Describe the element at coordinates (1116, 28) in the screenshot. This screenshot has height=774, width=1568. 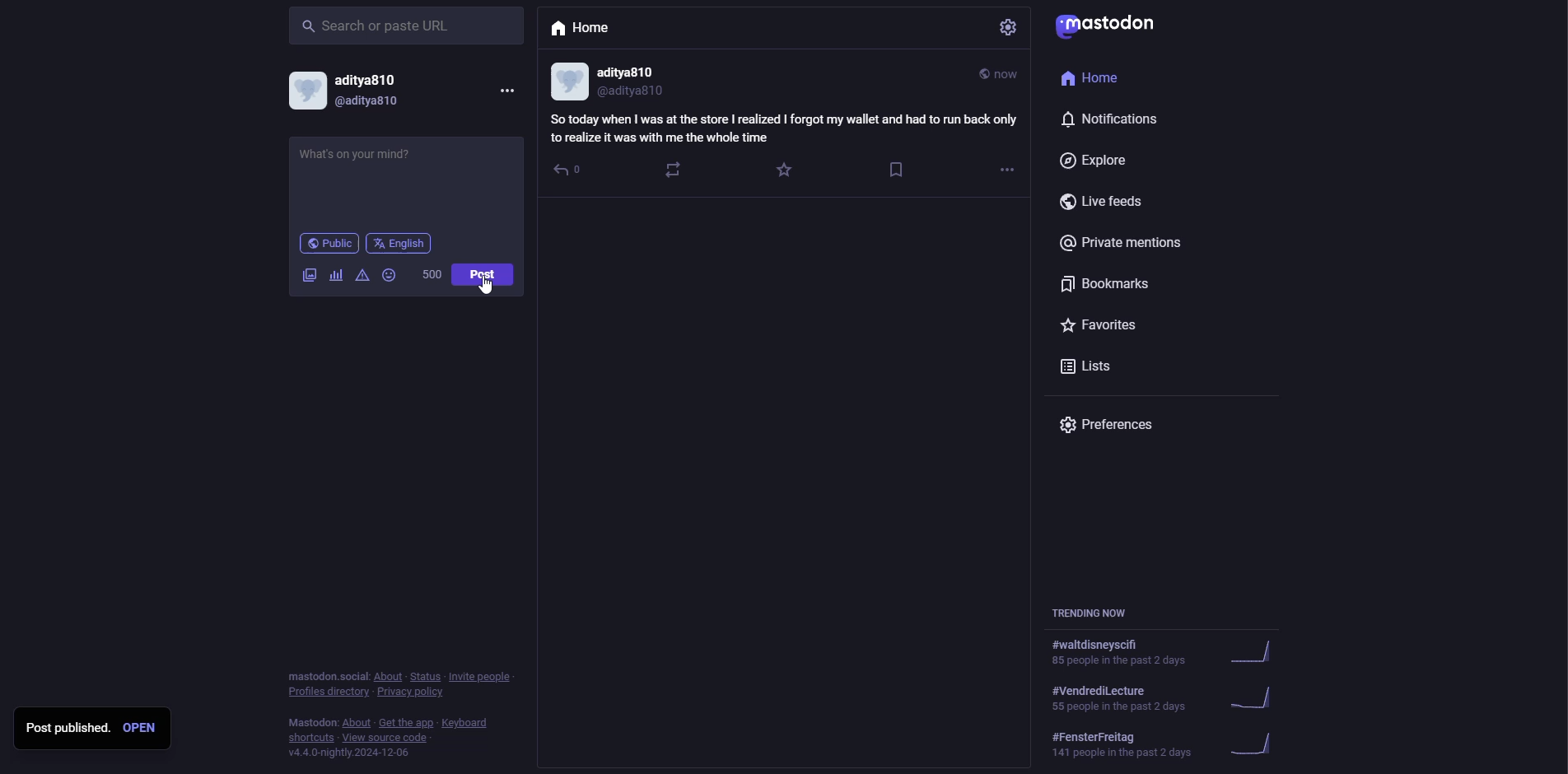
I see `mastodon` at that location.